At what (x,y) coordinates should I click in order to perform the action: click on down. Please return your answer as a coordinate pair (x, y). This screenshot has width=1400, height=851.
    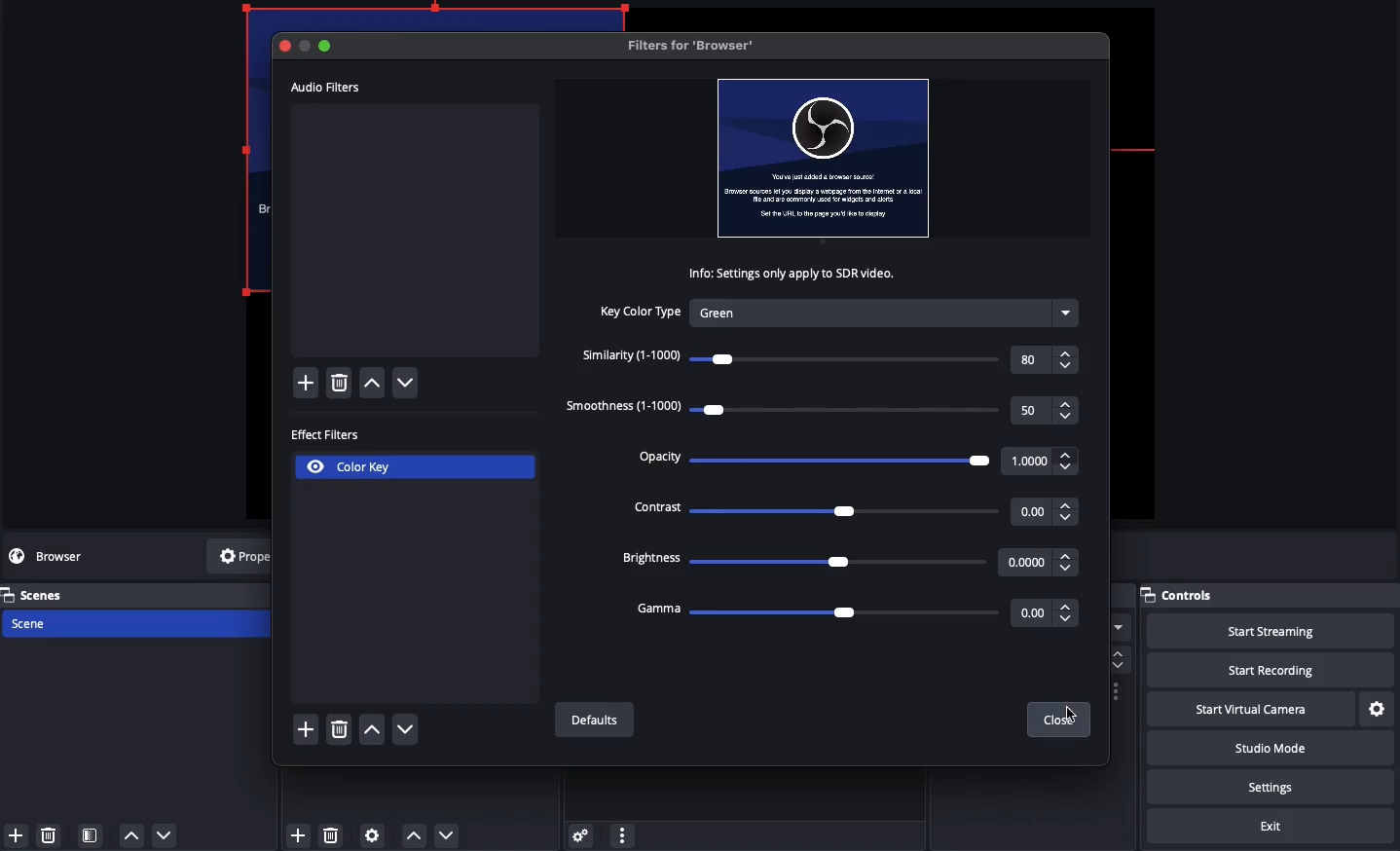
    Looking at the image, I should click on (406, 728).